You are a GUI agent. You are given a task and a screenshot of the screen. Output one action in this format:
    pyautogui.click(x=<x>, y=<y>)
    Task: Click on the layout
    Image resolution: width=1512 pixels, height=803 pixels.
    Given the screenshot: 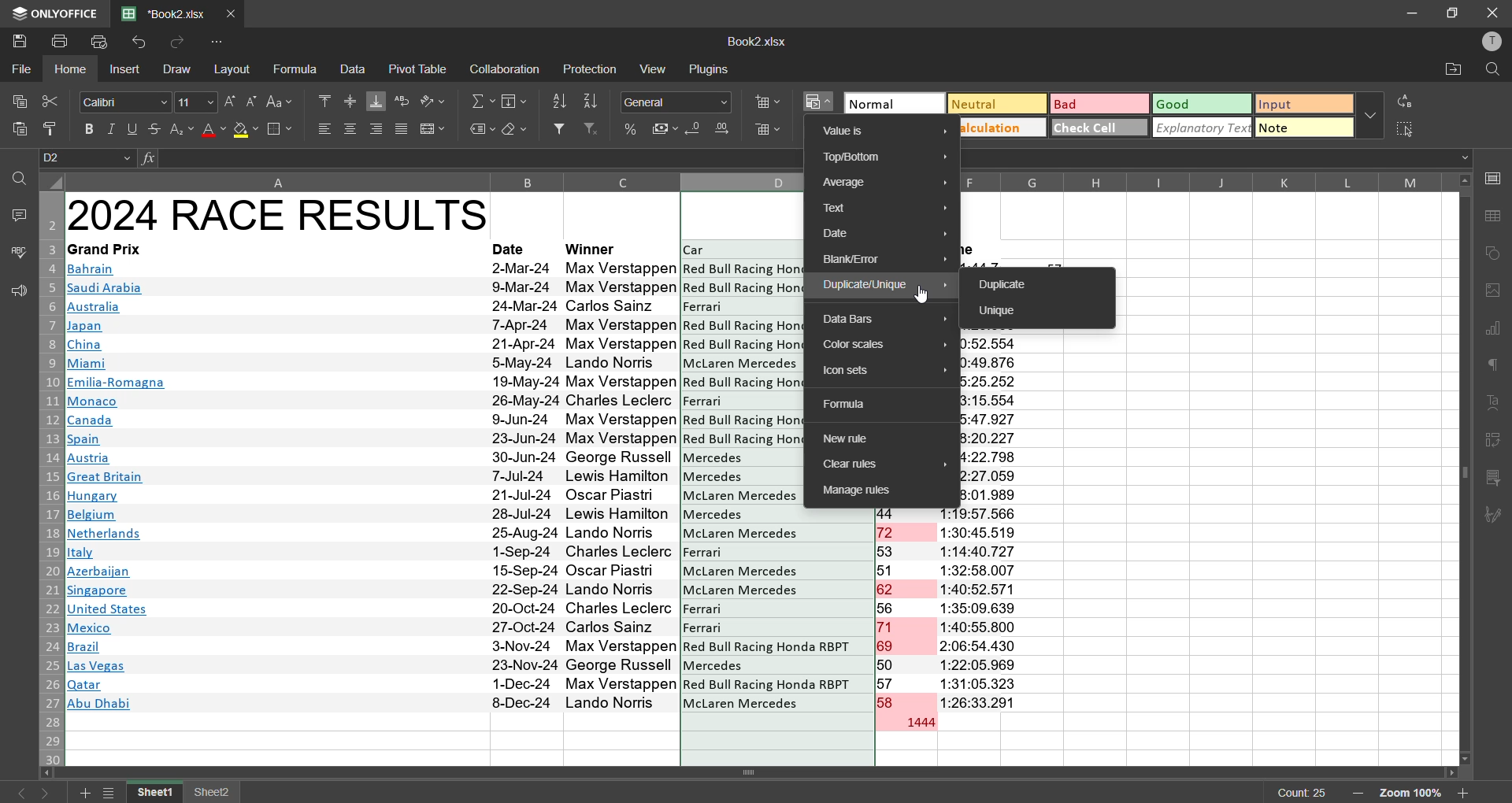 What is the action you would take?
    pyautogui.click(x=235, y=69)
    